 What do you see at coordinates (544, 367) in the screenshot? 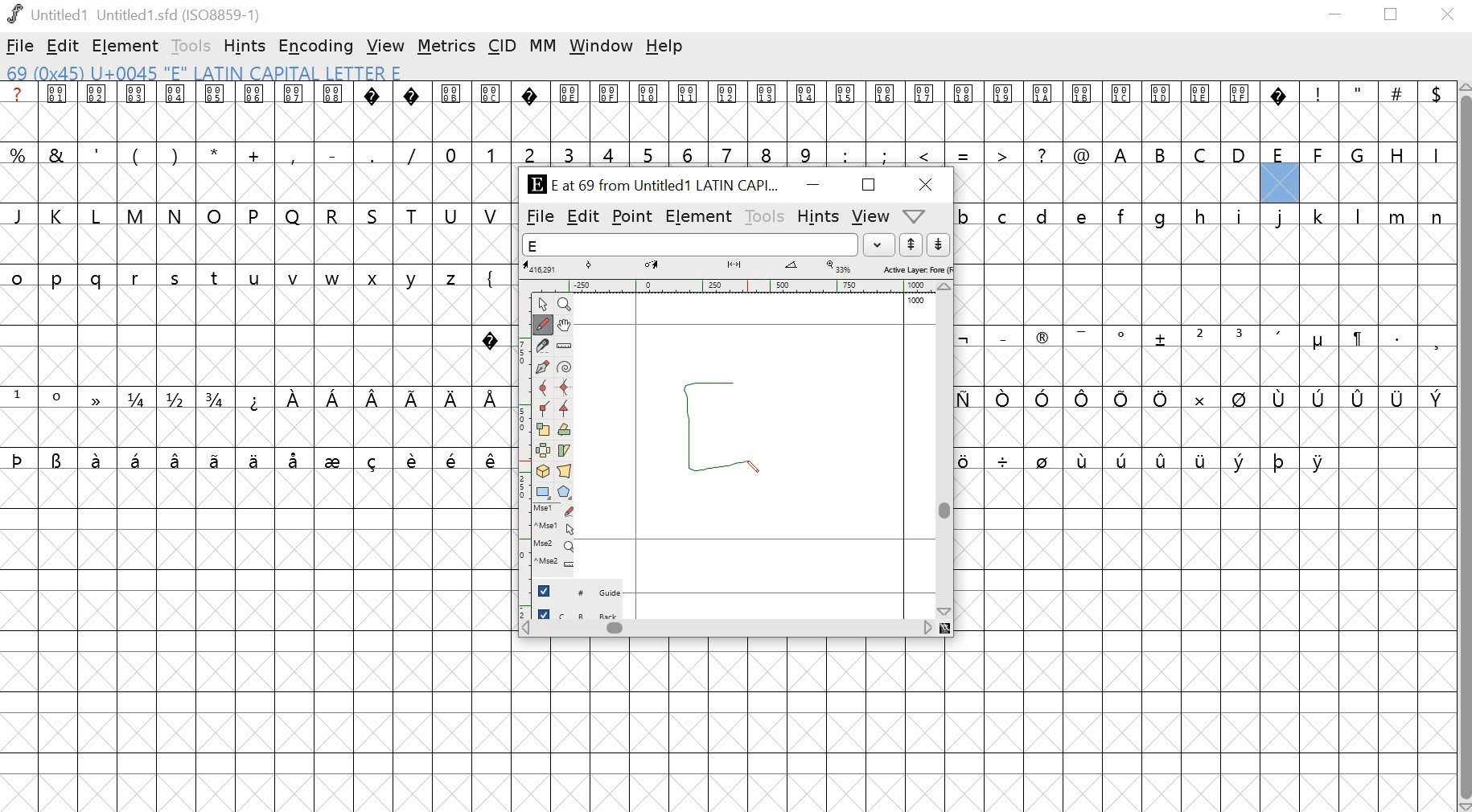
I see `Pen` at bounding box center [544, 367].